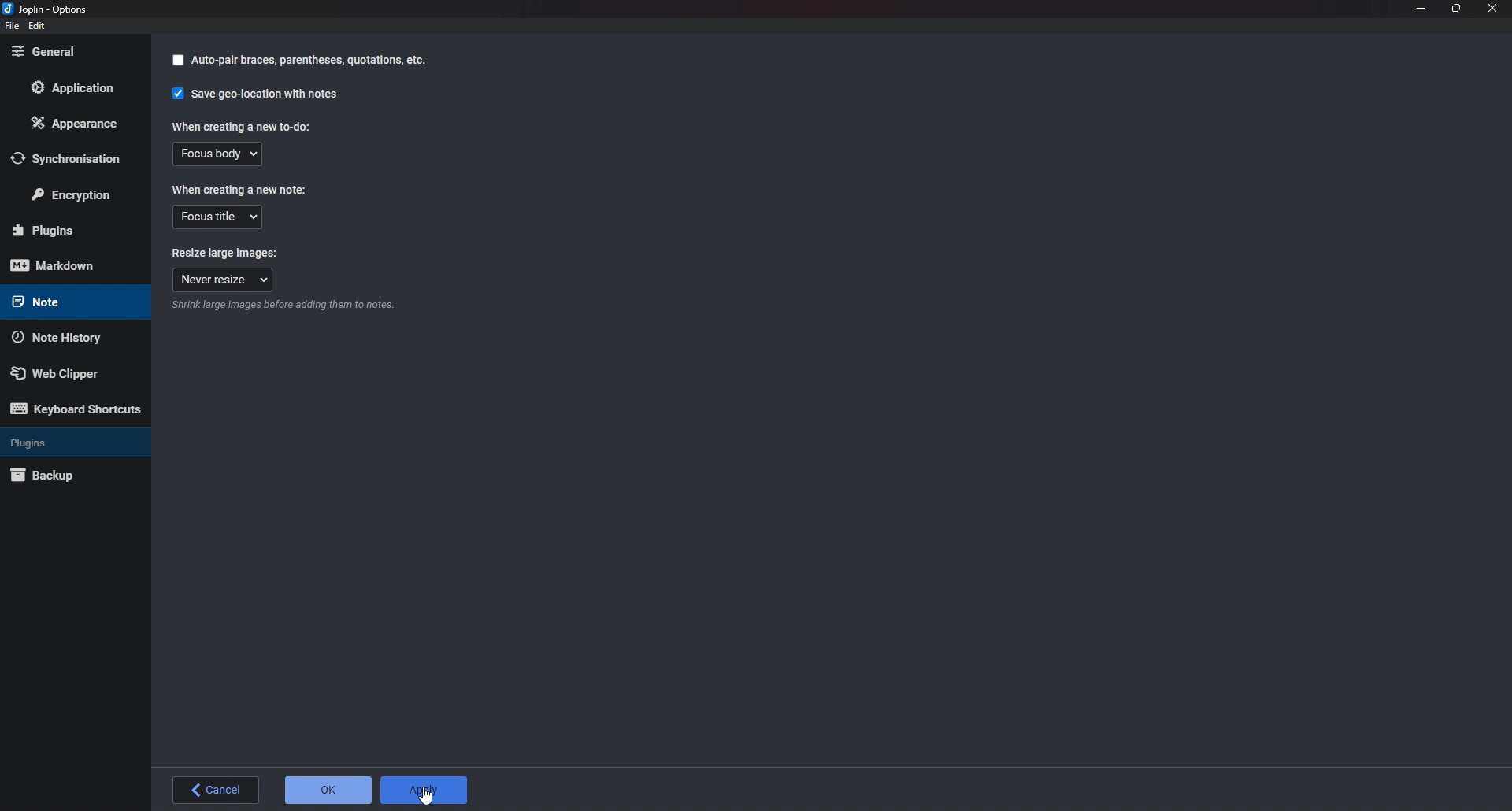  I want to click on Never resize, so click(224, 280).